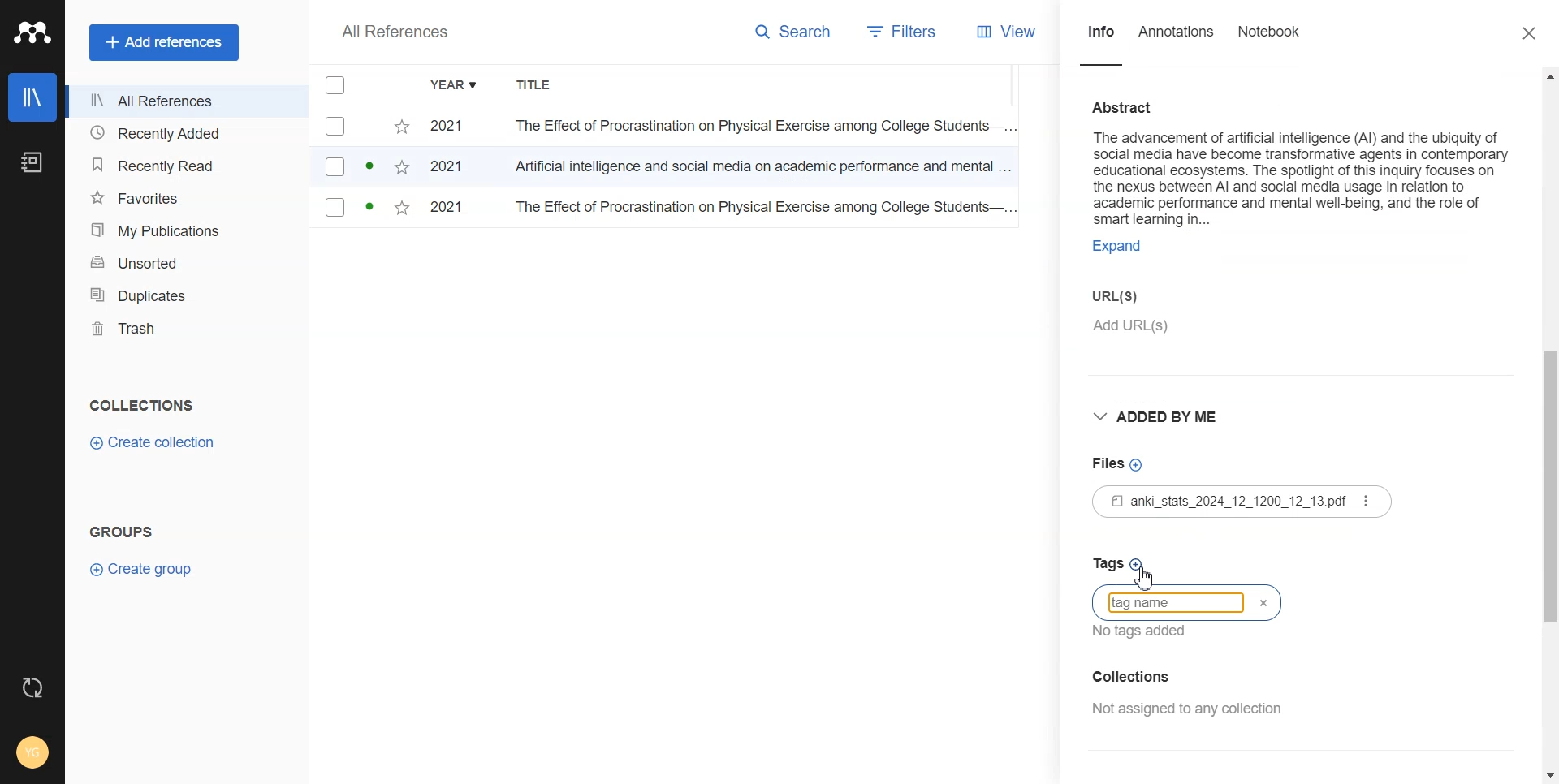  I want to click on Add URLs, so click(1219, 334).